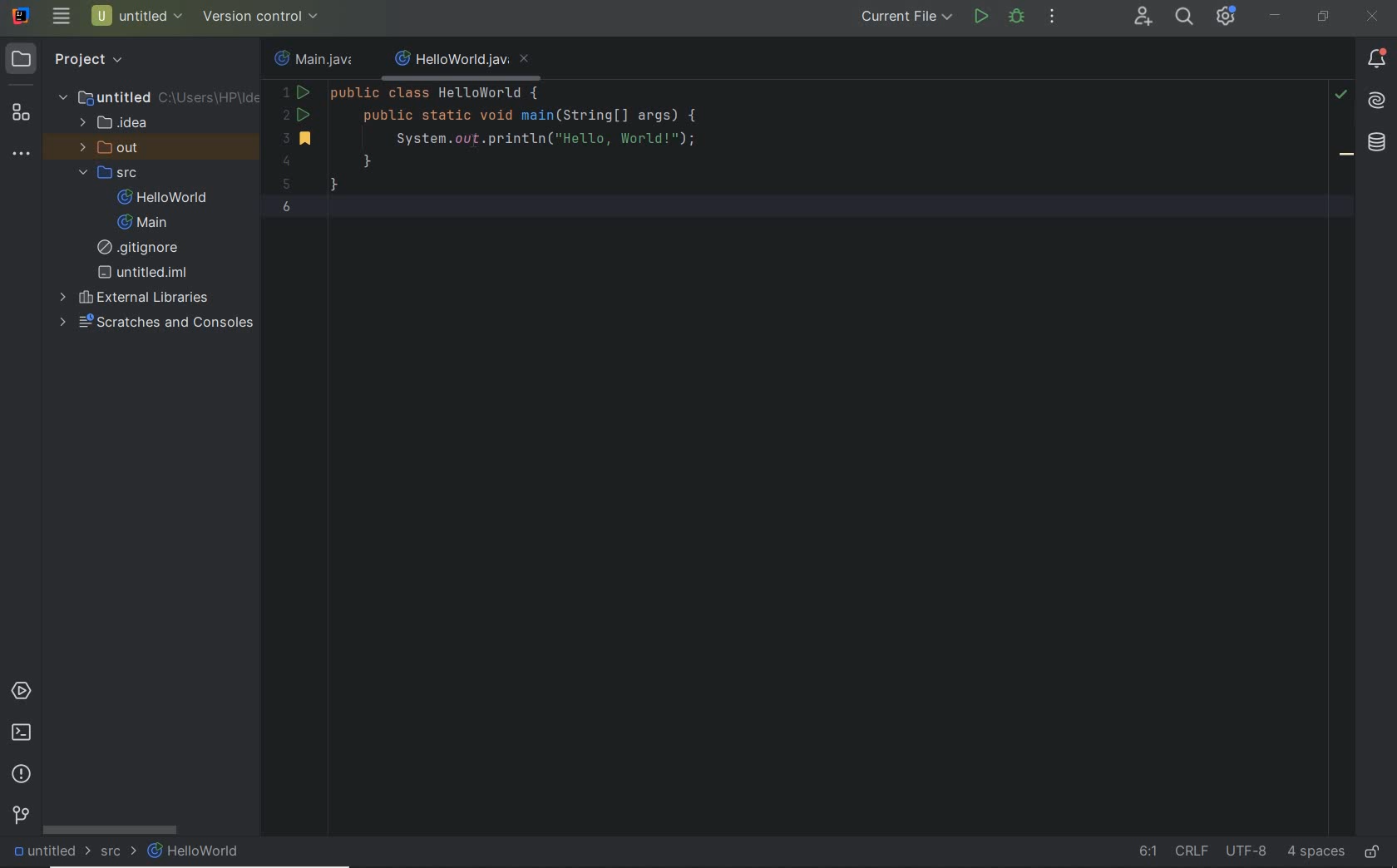 This screenshot has width=1397, height=868. I want to click on Main java, so click(318, 60).